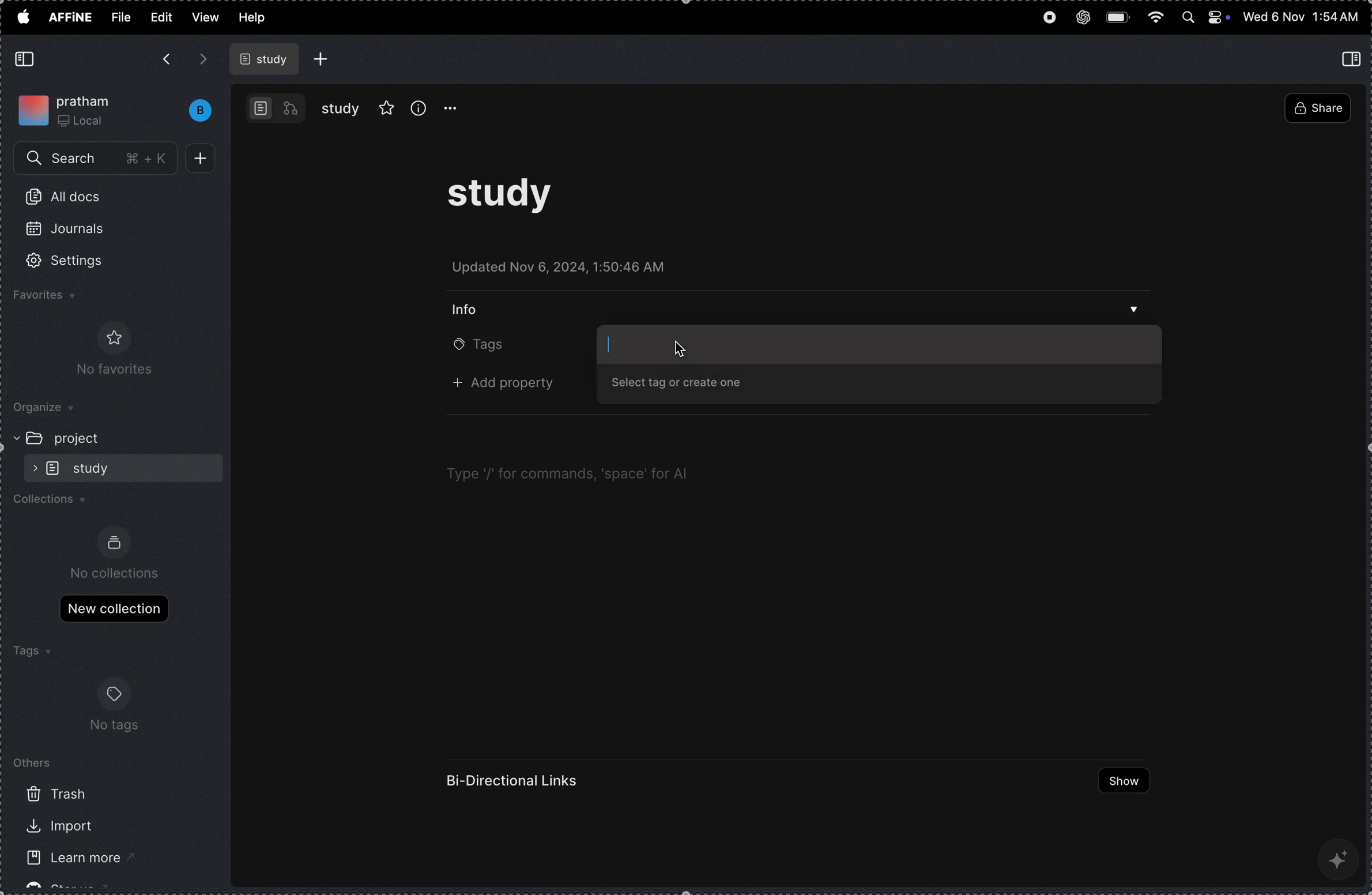 The image size is (1372, 895). What do you see at coordinates (322, 59) in the screenshot?
I see `add file` at bounding box center [322, 59].